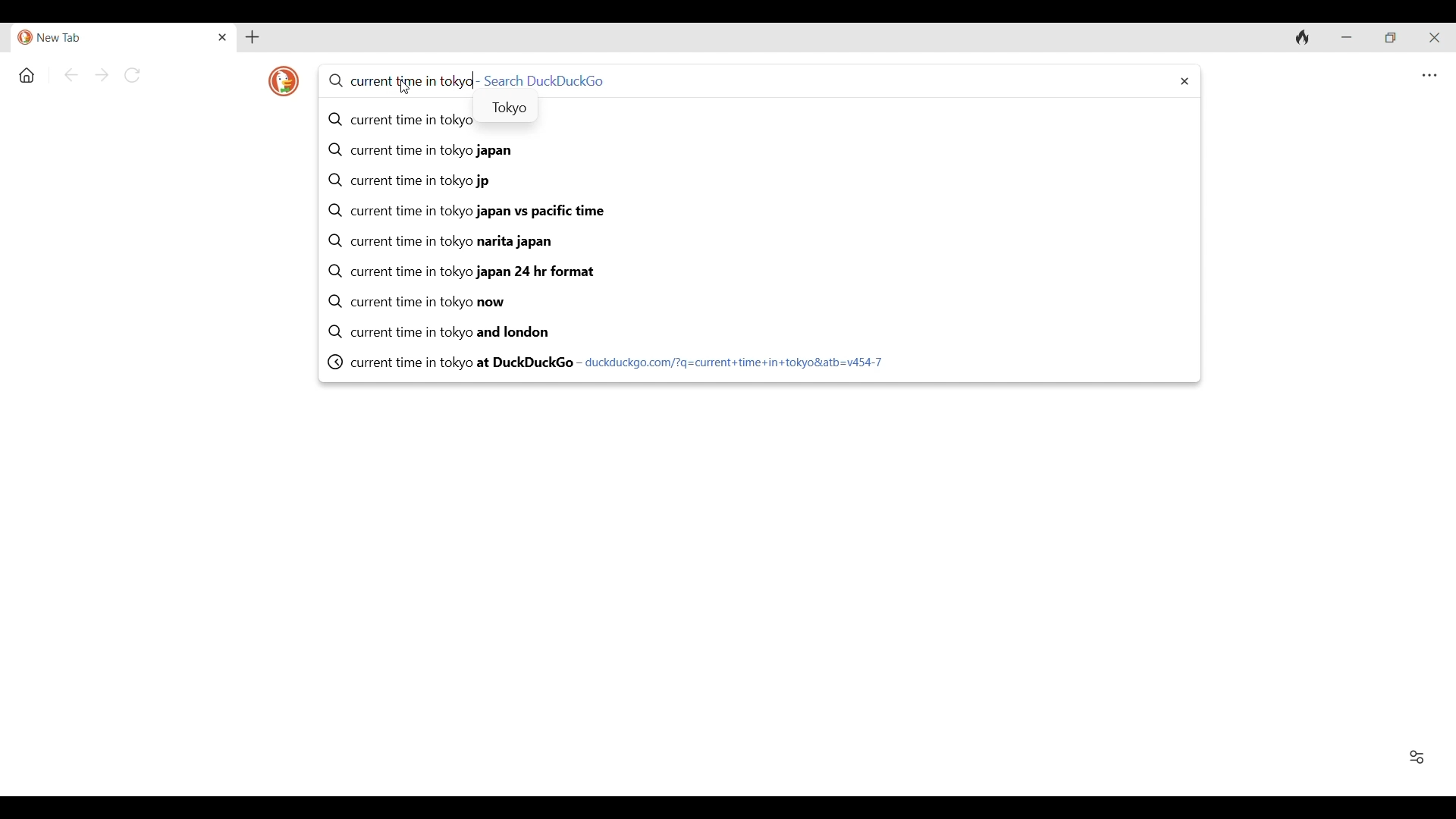 This screenshot has height=819, width=1456. I want to click on Clear browsing history, so click(1303, 38).